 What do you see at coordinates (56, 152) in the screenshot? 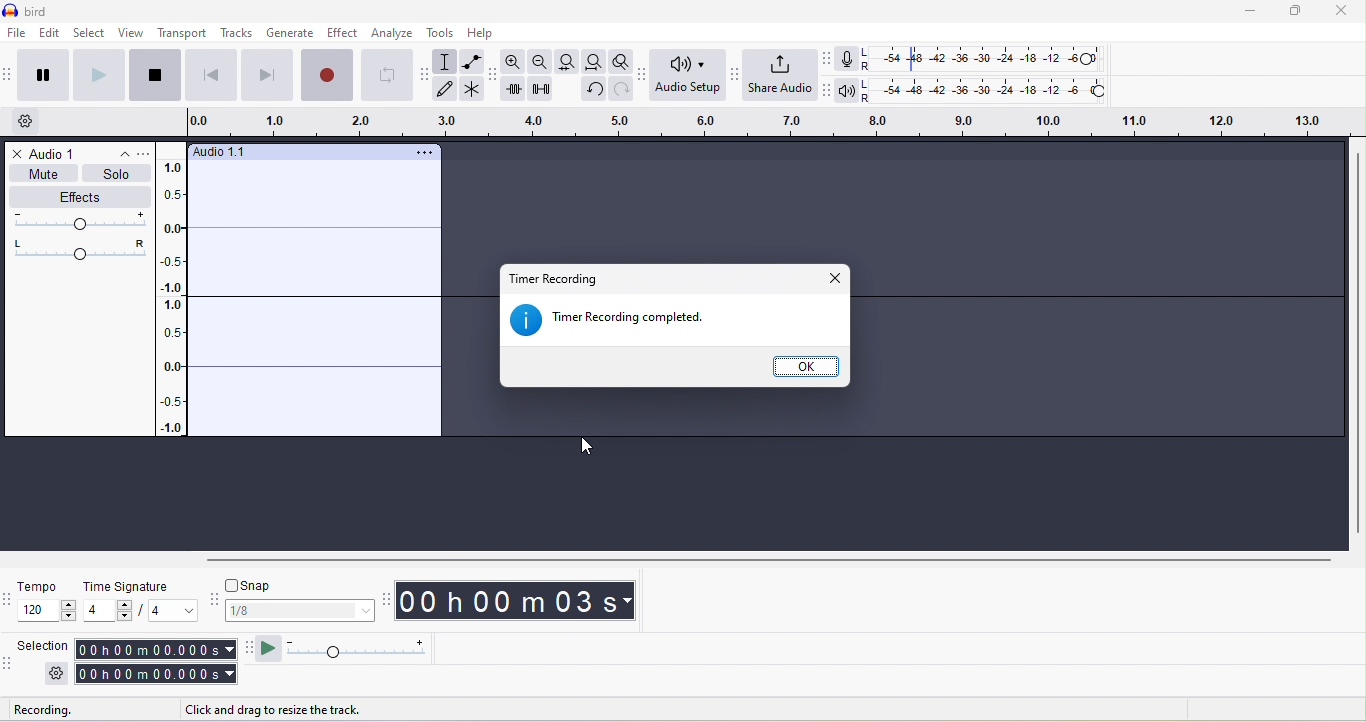
I see `audio 1` at bounding box center [56, 152].